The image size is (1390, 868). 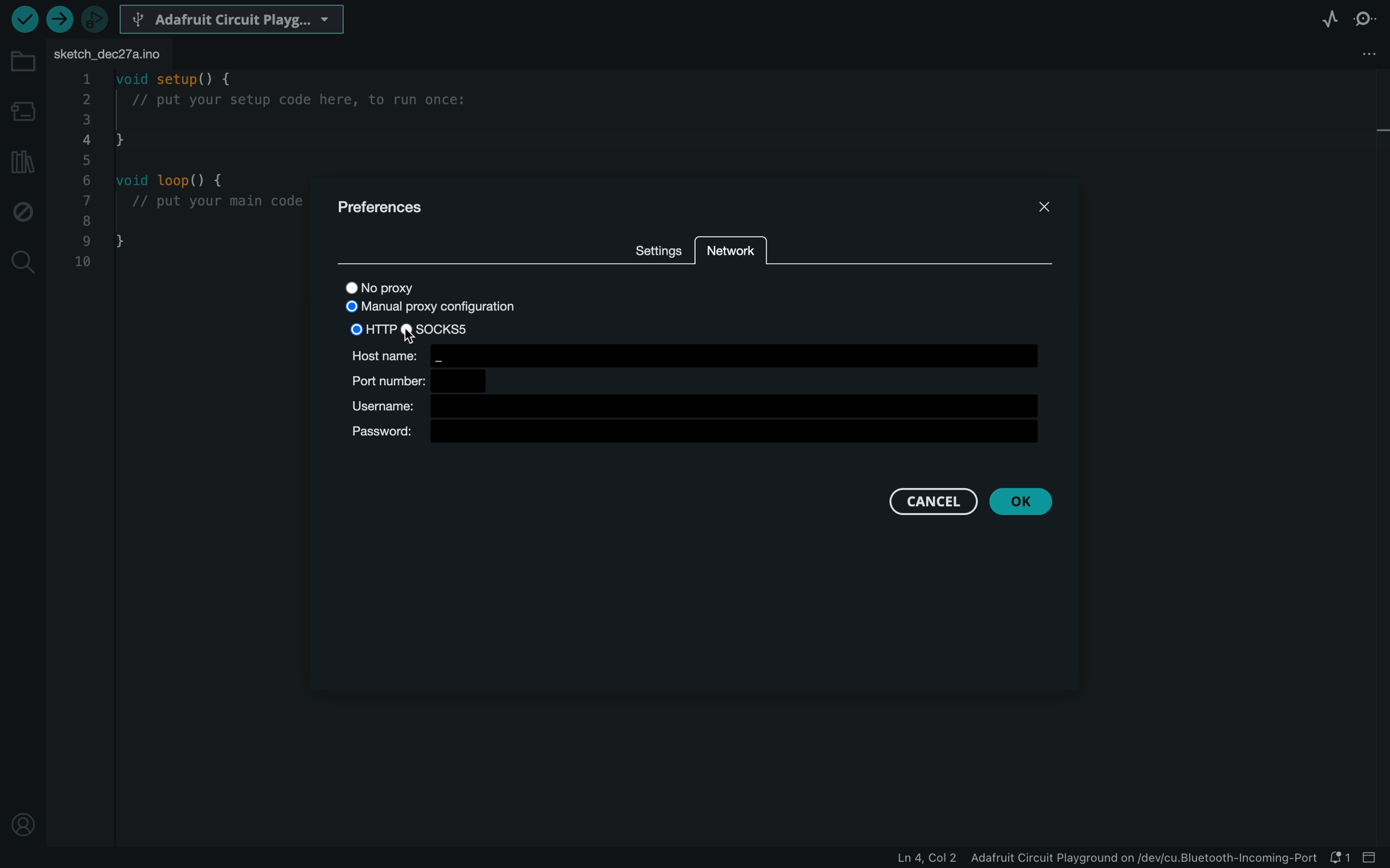 What do you see at coordinates (61, 19) in the screenshot?
I see `upload` at bounding box center [61, 19].